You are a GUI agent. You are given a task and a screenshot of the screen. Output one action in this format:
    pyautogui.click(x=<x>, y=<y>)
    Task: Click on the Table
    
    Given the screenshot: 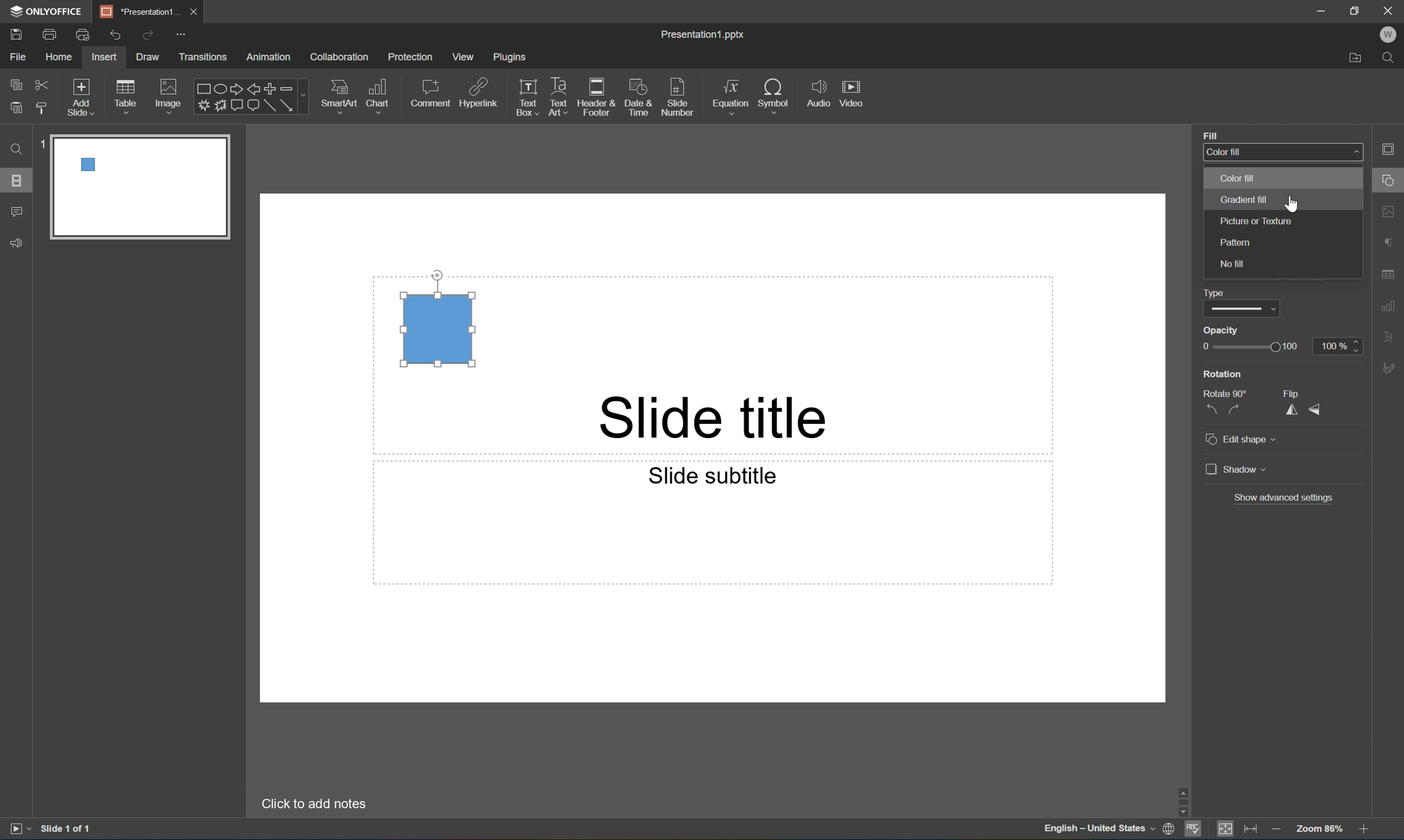 What is the action you would take?
    pyautogui.click(x=126, y=96)
    